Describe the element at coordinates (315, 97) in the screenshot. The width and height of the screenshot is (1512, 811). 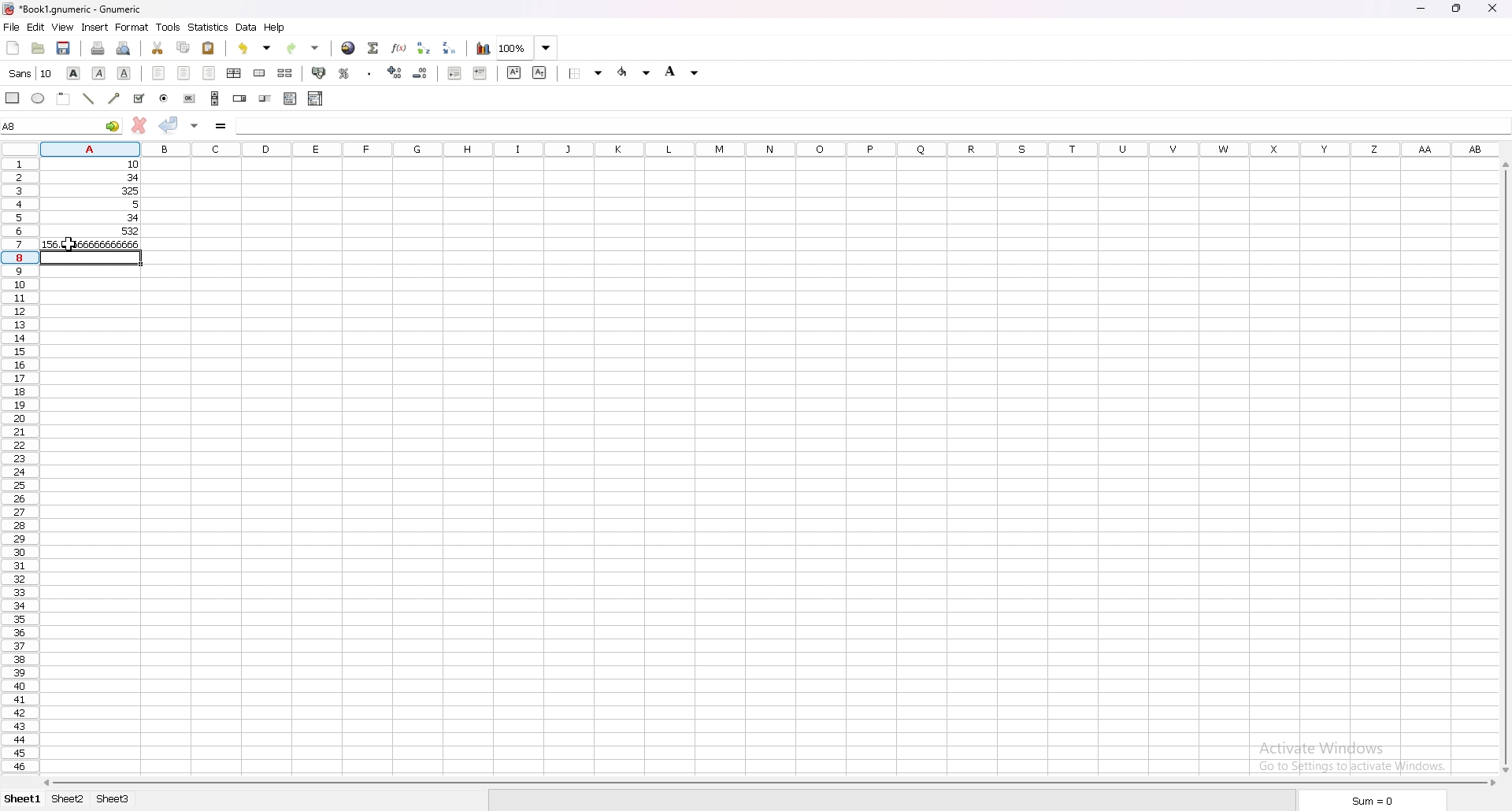
I see `combo box` at that location.